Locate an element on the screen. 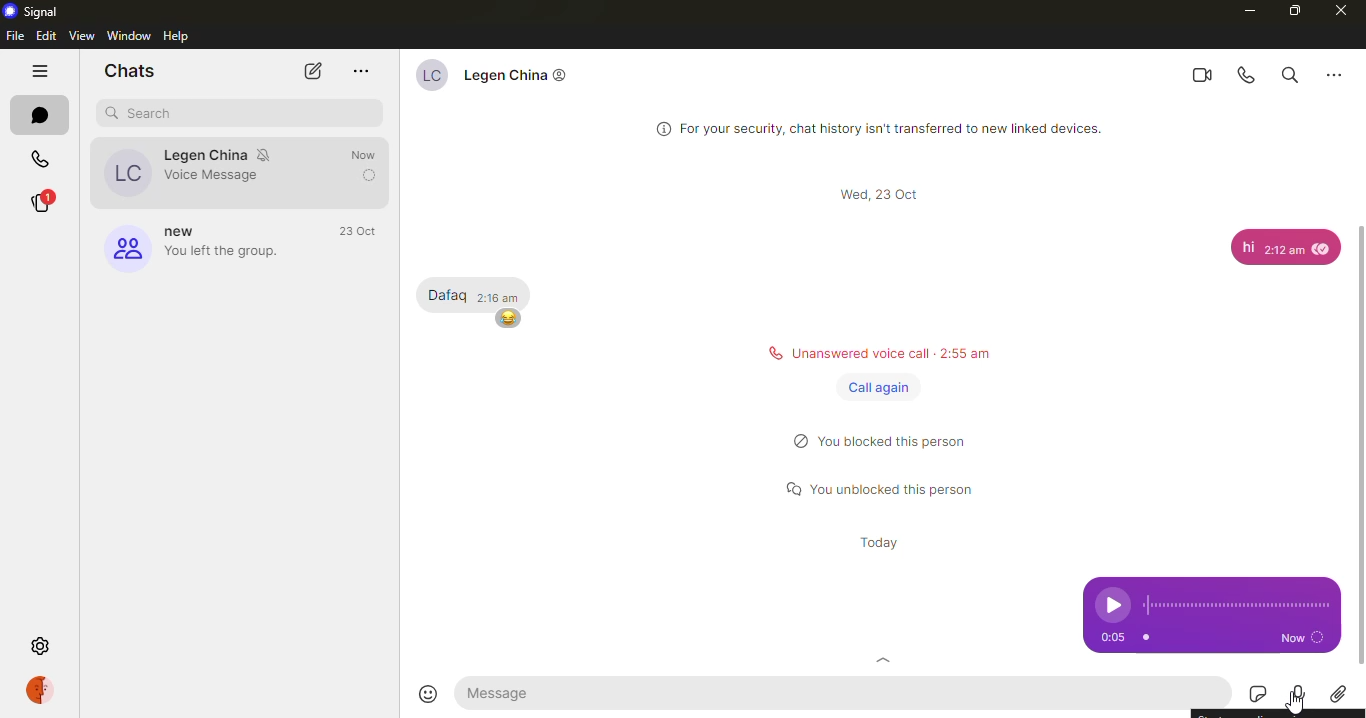  play is located at coordinates (1112, 605).